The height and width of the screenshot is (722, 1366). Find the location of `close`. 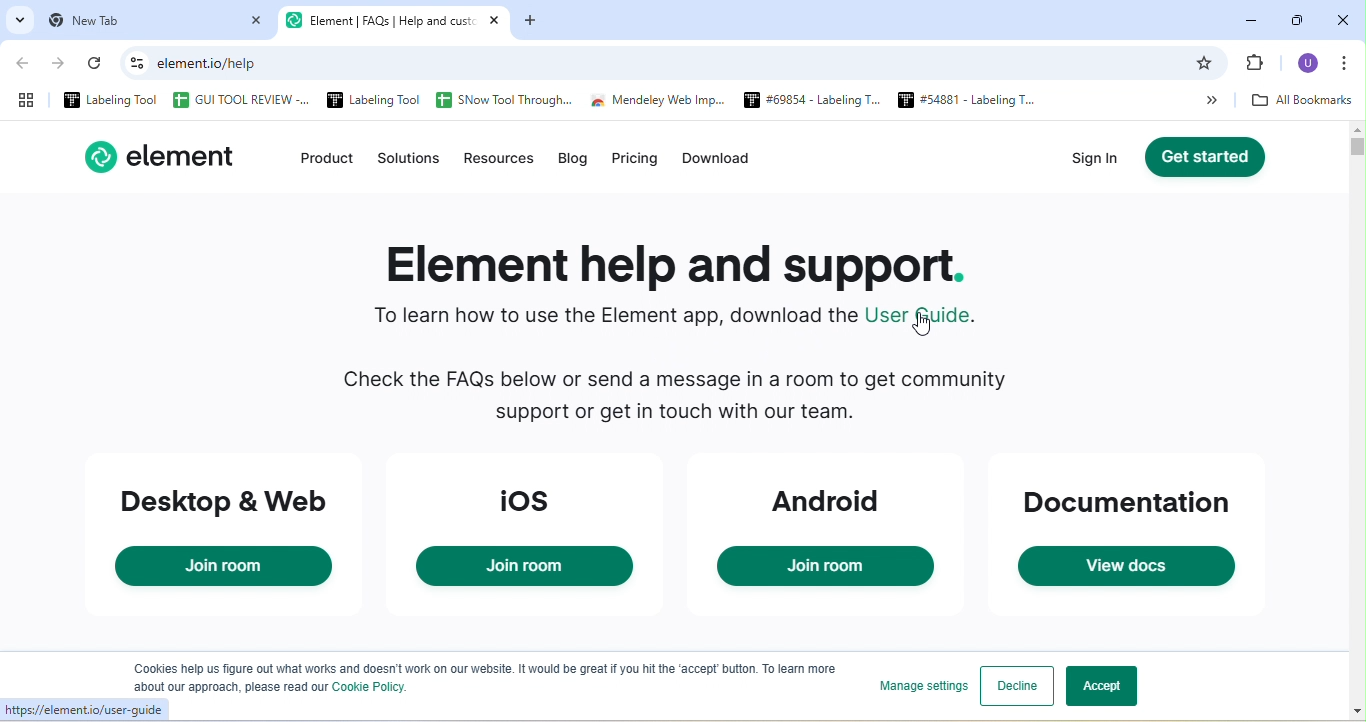

close is located at coordinates (1343, 18).